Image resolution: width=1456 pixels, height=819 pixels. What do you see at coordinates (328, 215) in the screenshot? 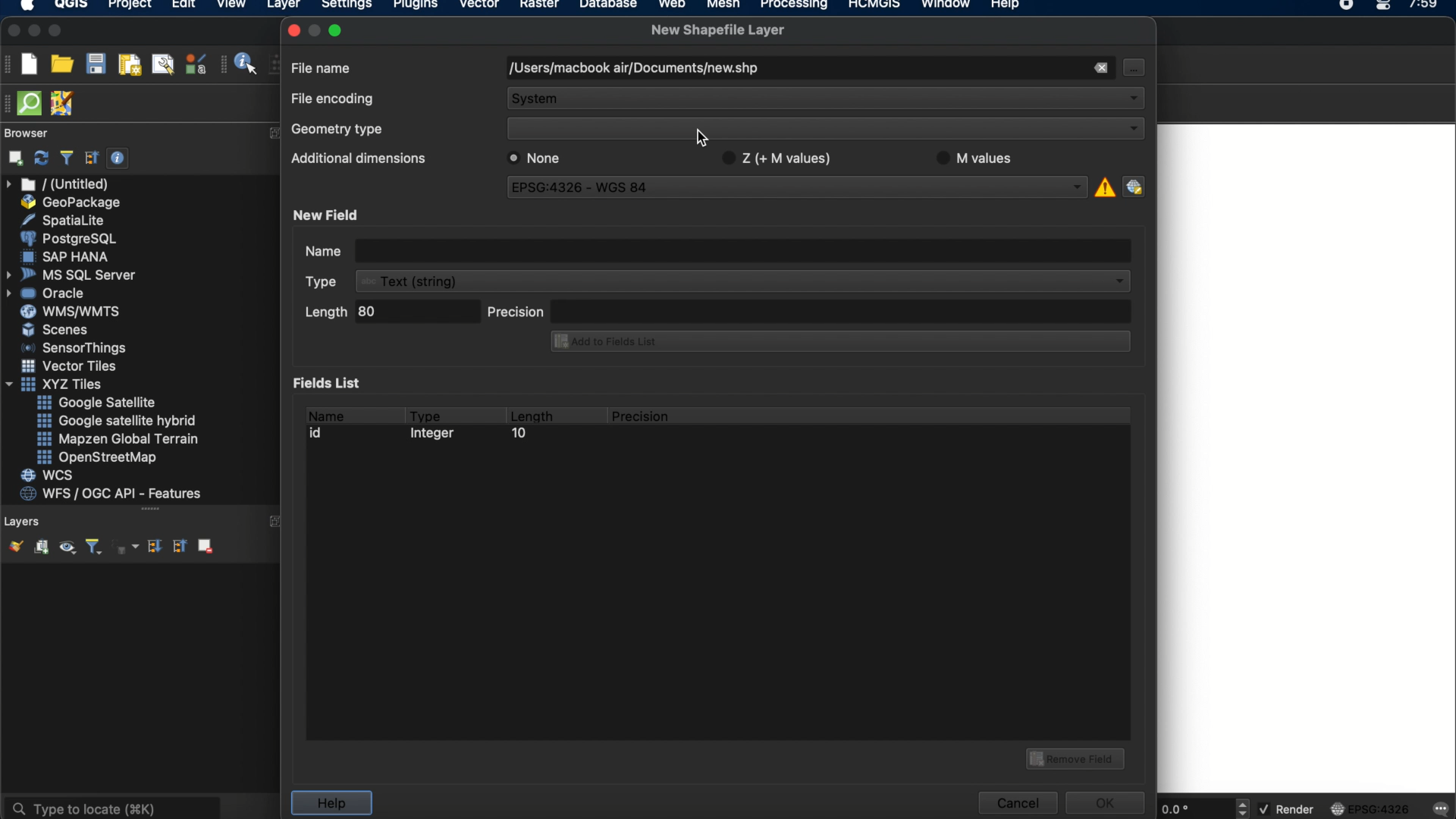
I see `new field` at bounding box center [328, 215].